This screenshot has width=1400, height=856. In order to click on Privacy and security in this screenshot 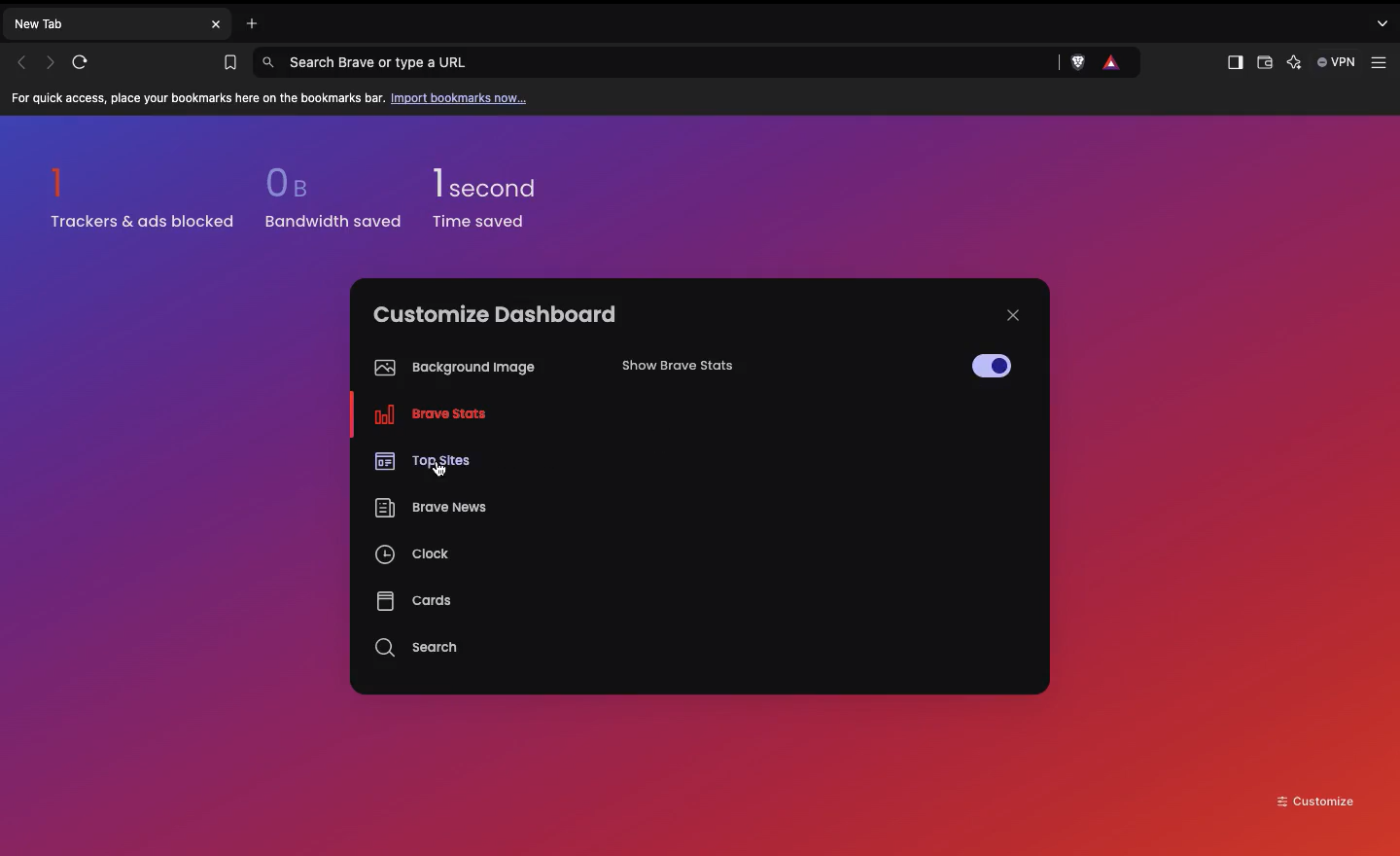, I will do `click(1113, 63)`.